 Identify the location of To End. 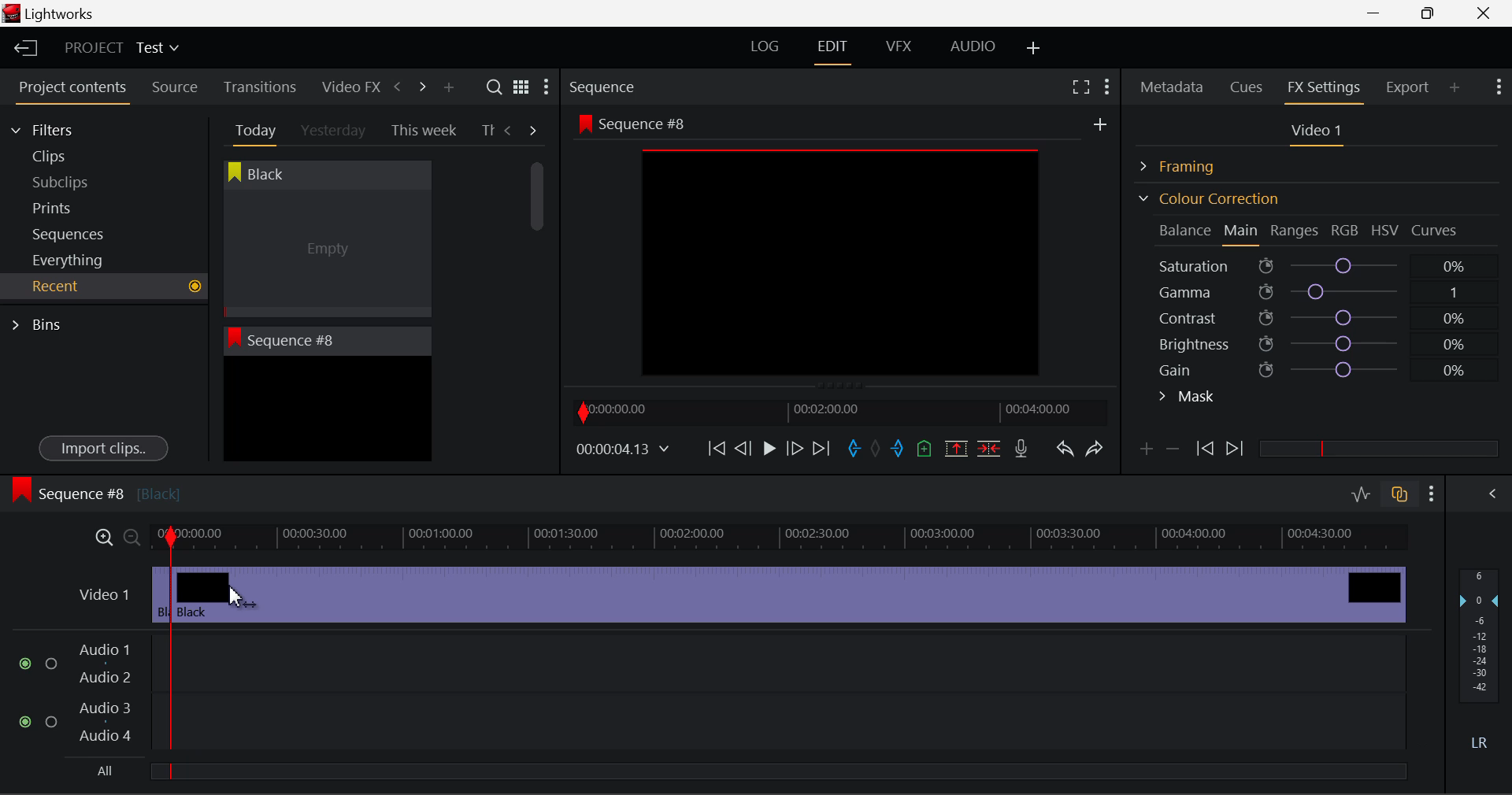
(821, 449).